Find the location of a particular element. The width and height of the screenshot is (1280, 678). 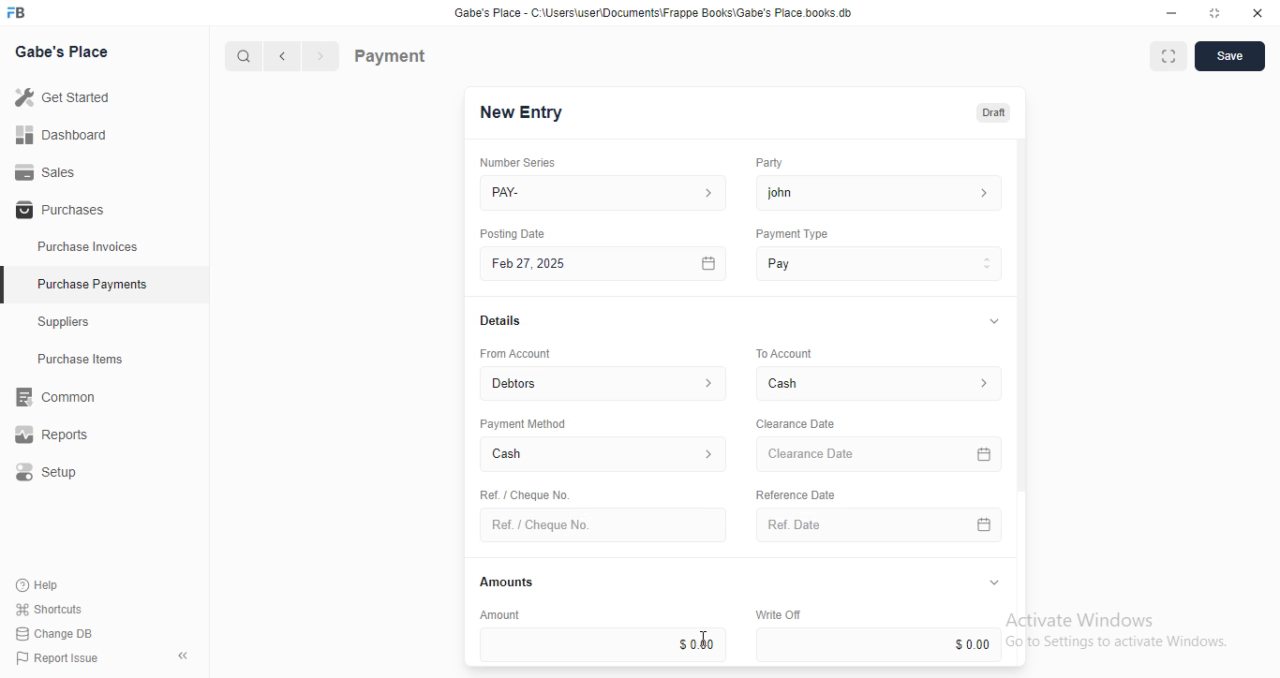

resize is located at coordinates (1213, 13).